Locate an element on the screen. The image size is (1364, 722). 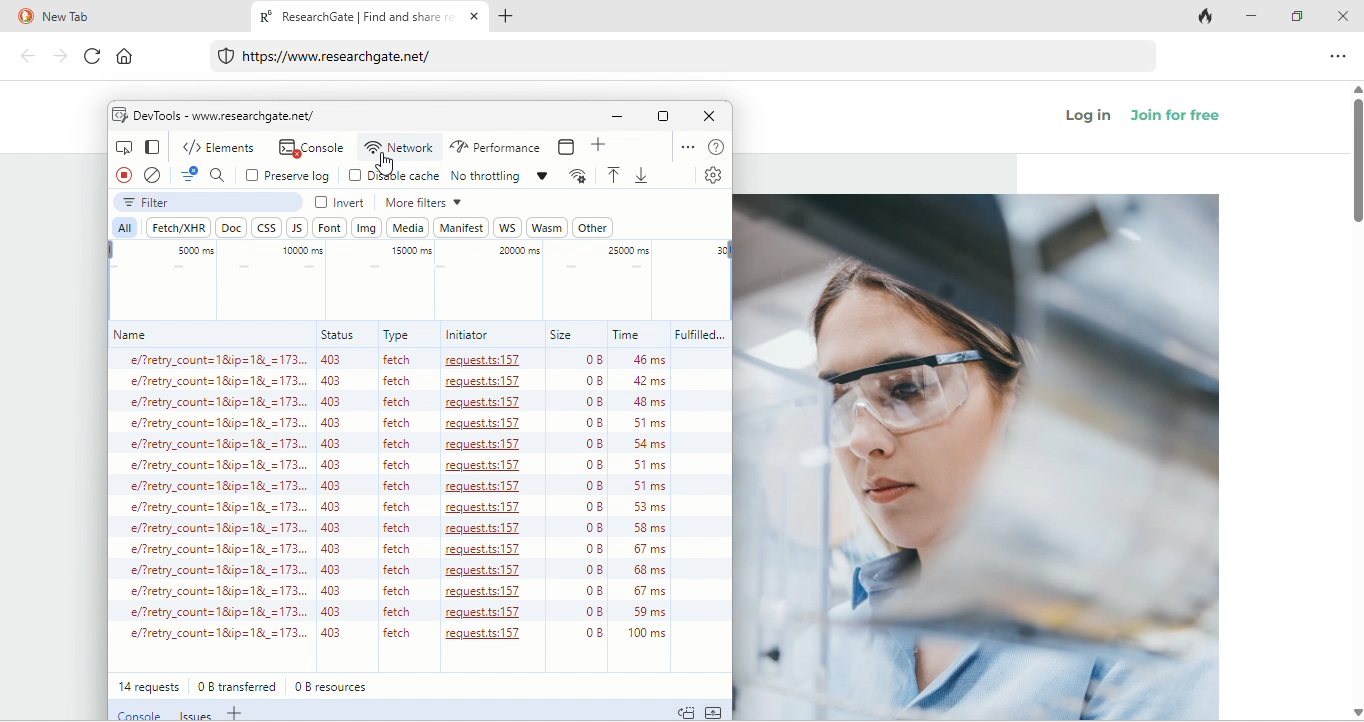
search bar is located at coordinates (685, 58).